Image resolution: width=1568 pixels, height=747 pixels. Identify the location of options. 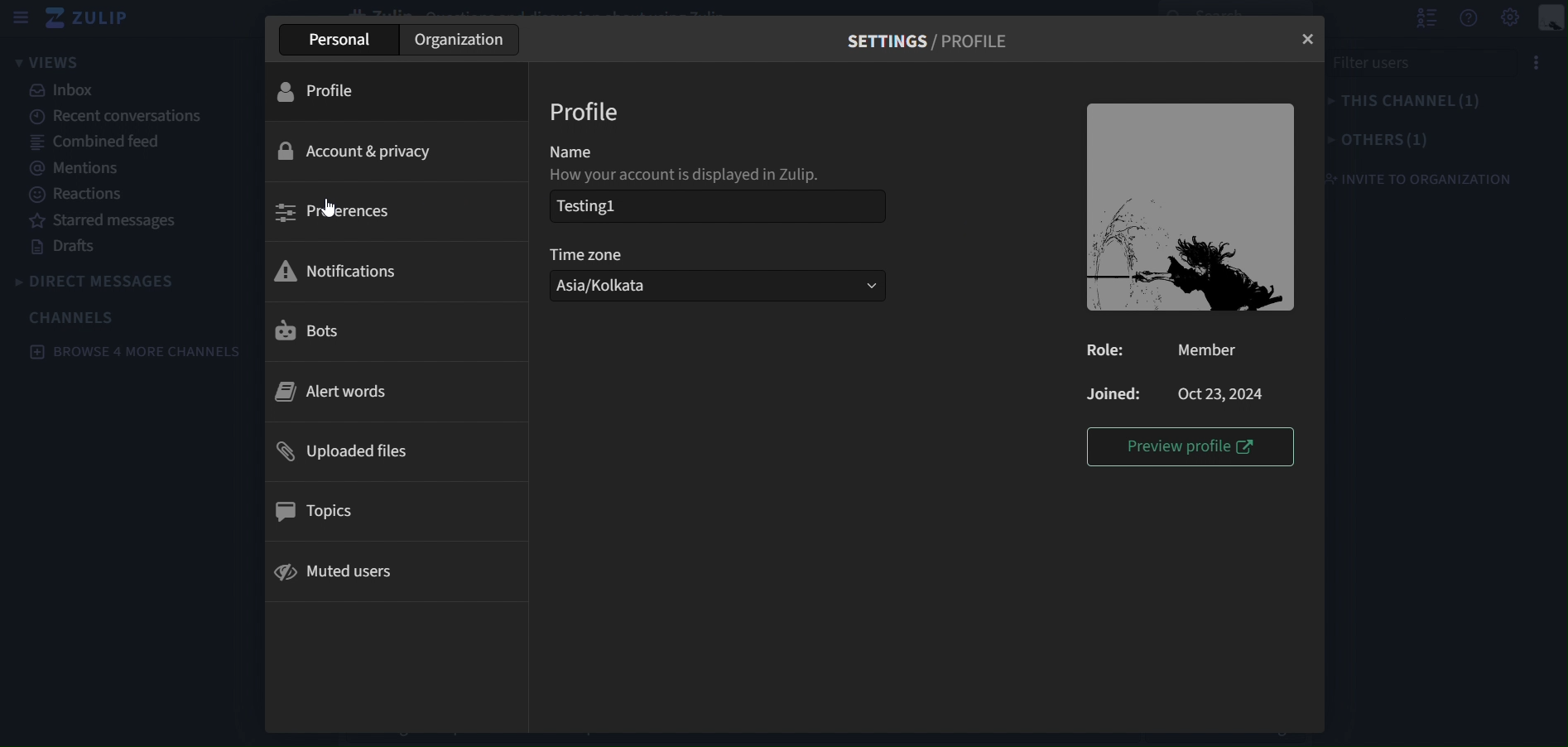
(1546, 62).